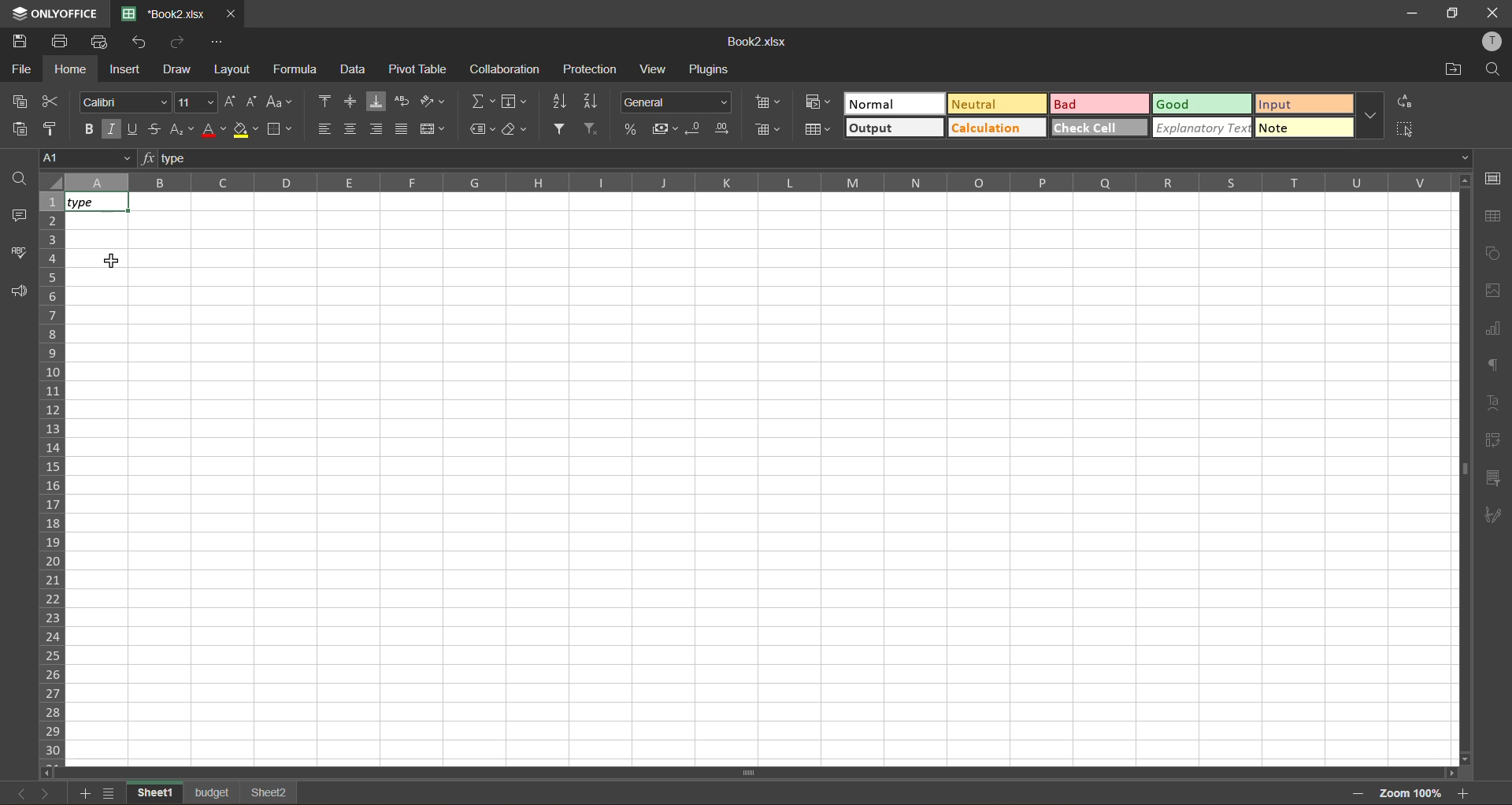 This screenshot has height=805, width=1512. What do you see at coordinates (22, 68) in the screenshot?
I see `file` at bounding box center [22, 68].